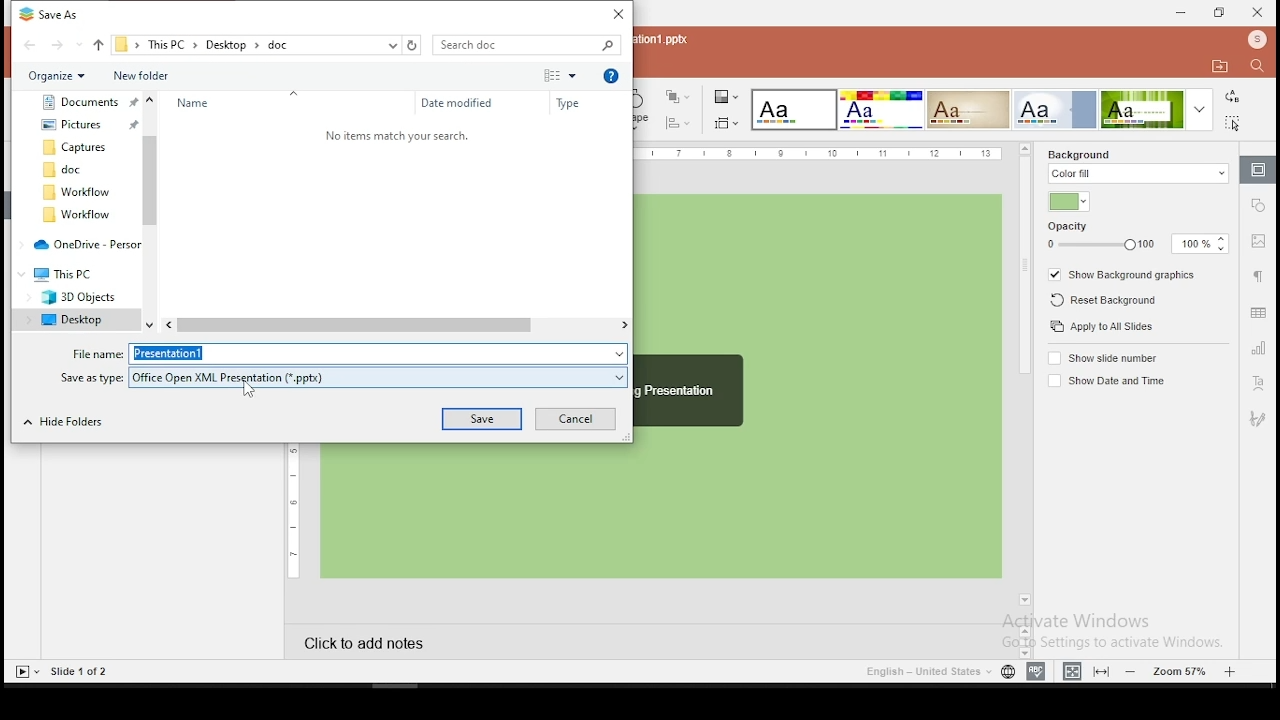 This screenshot has width=1280, height=720. Describe the element at coordinates (1024, 381) in the screenshot. I see `scroll bar` at that location.